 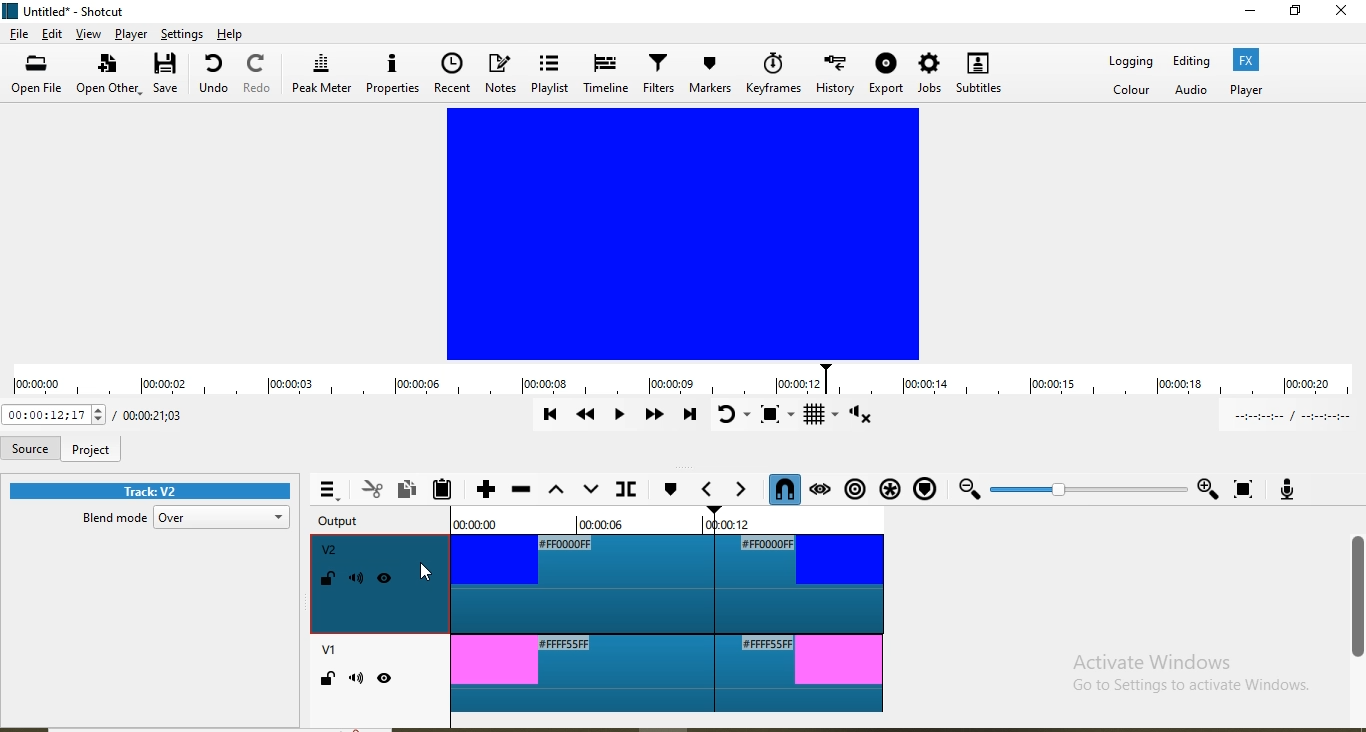 What do you see at coordinates (584, 416) in the screenshot?
I see `Play quickly backwards` at bounding box center [584, 416].